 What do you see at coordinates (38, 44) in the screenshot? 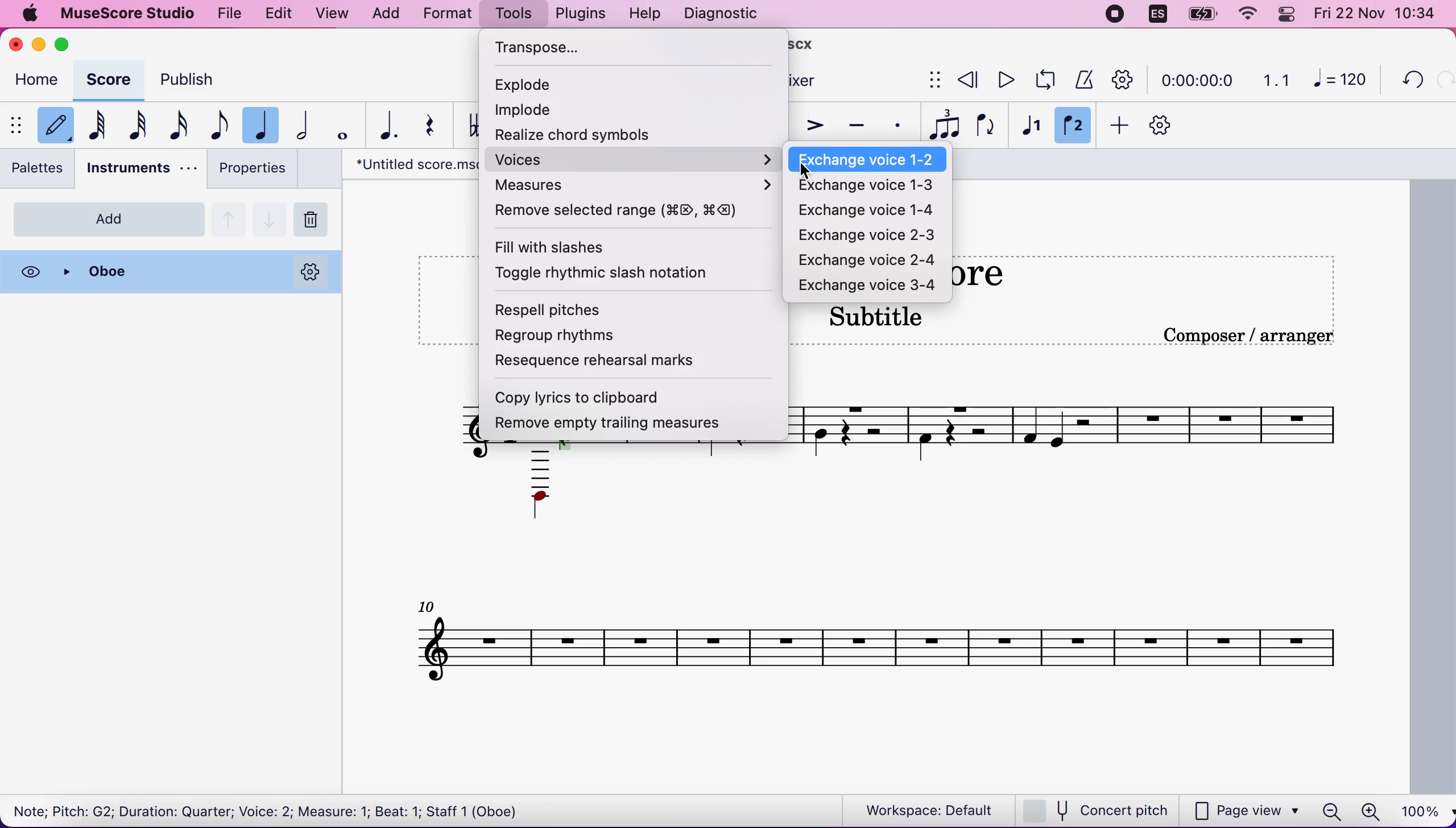
I see `minimize` at bounding box center [38, 44].